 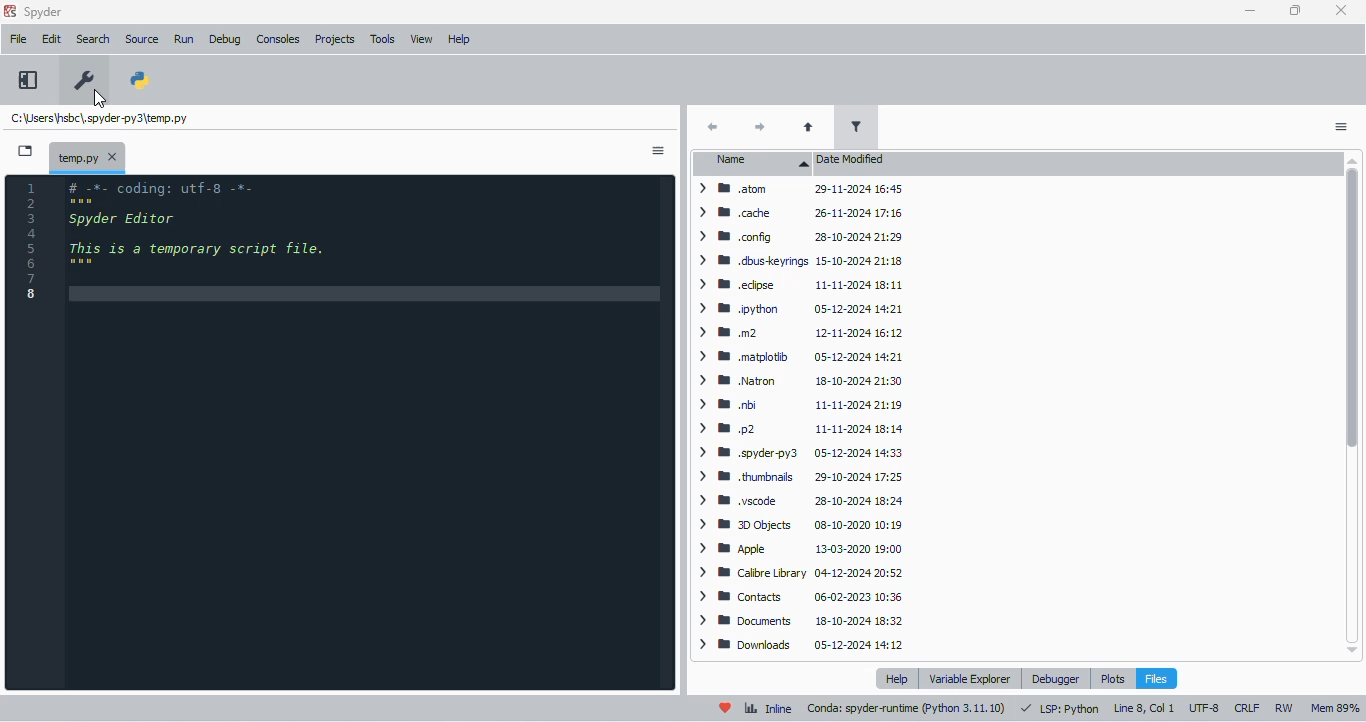 I want to click on > BW python 05-12-2024 14:21, so click(x=796, y=309).